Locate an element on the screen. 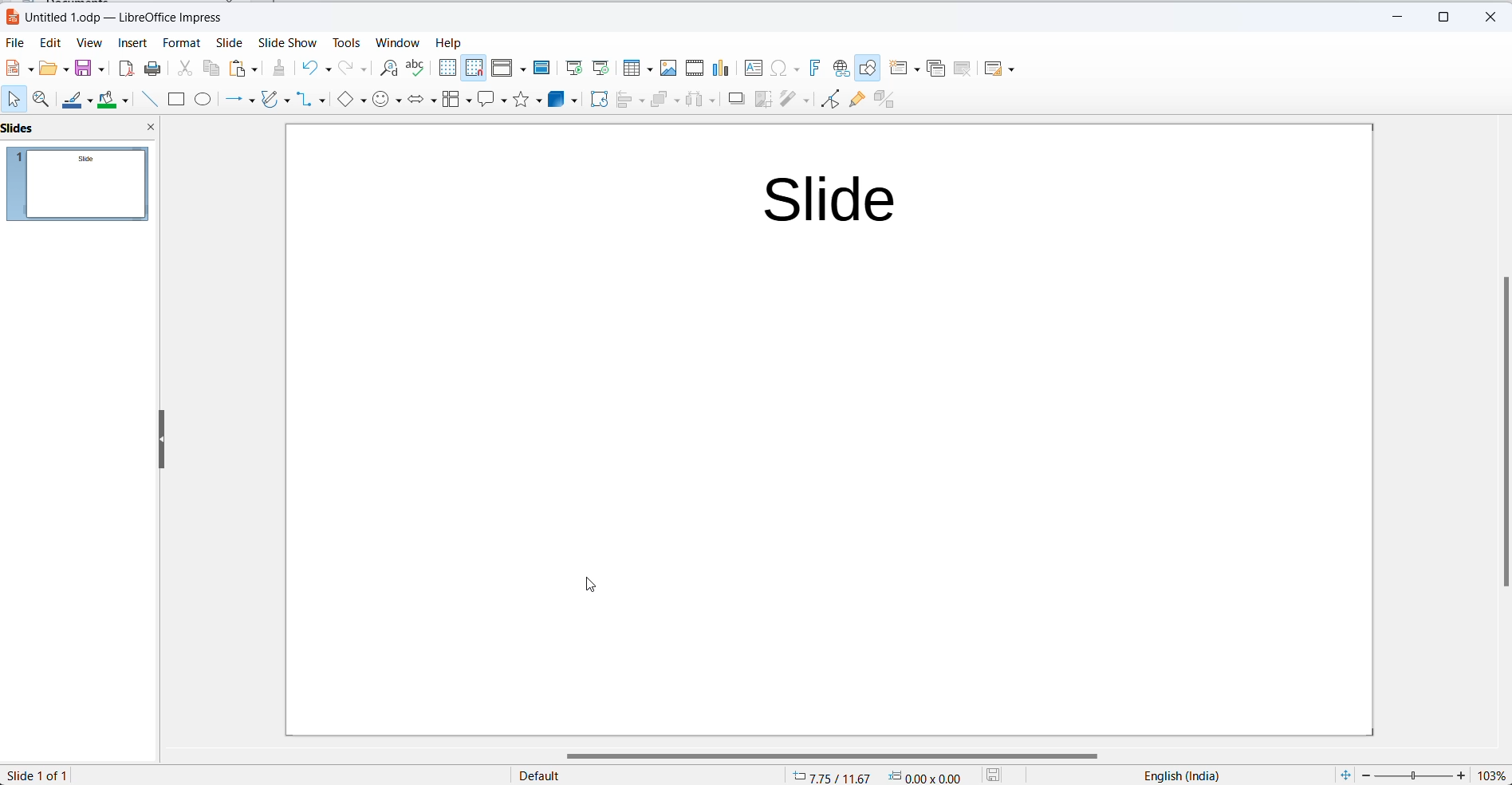 The image size is (1512, 785). style options is located at coordinates (542, 776).